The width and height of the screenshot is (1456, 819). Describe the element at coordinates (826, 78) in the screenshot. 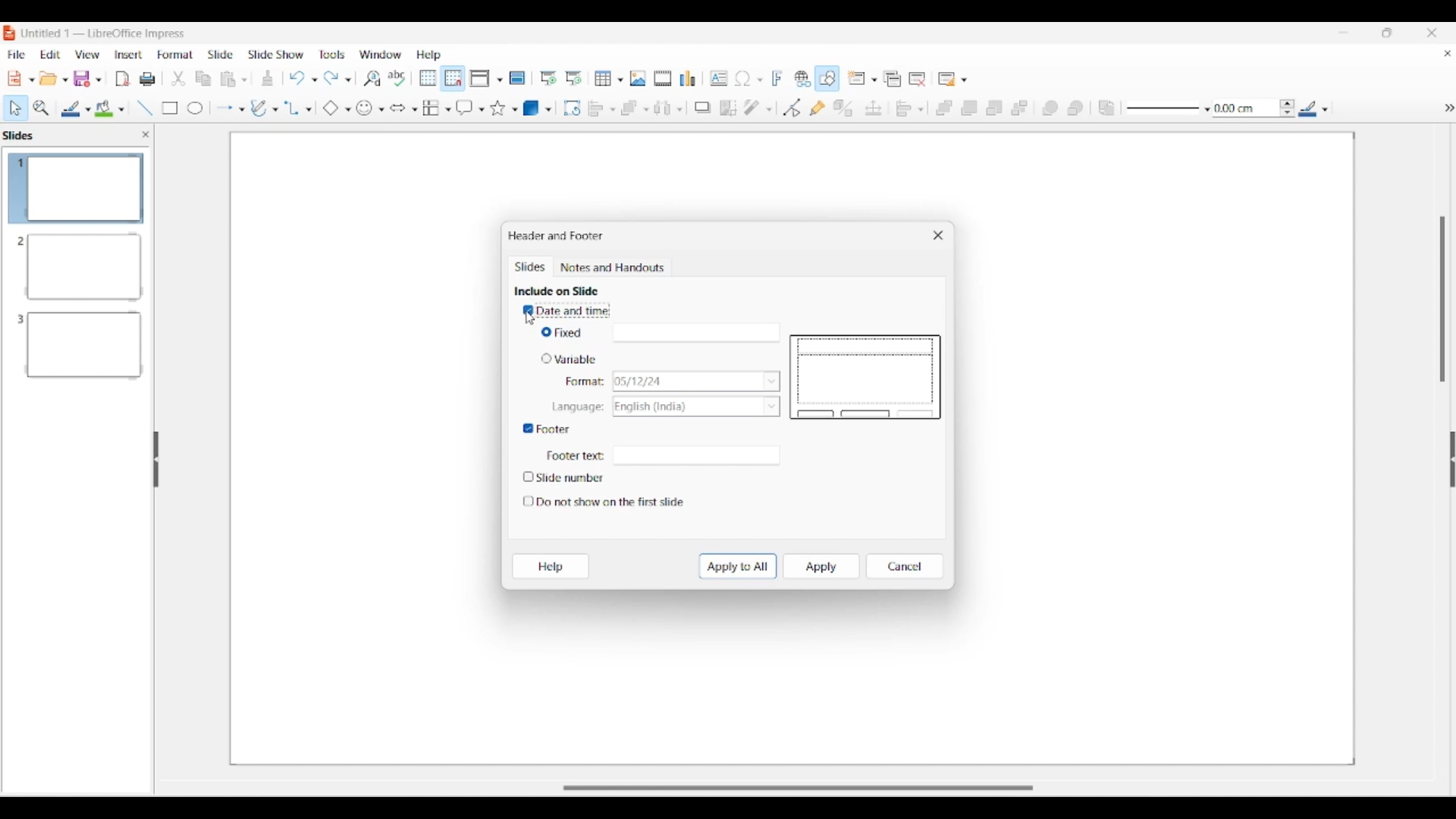

I see `Show draw functions, highlighted` at that location.